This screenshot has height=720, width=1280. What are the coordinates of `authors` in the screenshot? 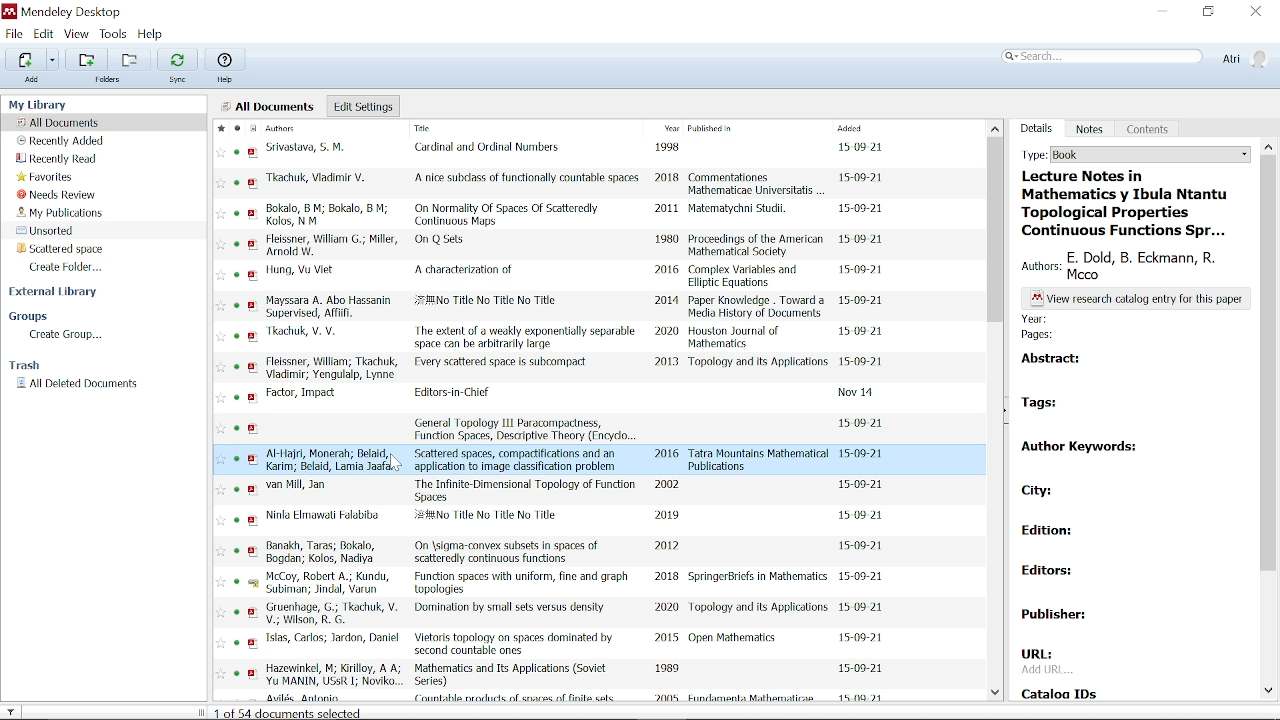 It's located at (324, 515).